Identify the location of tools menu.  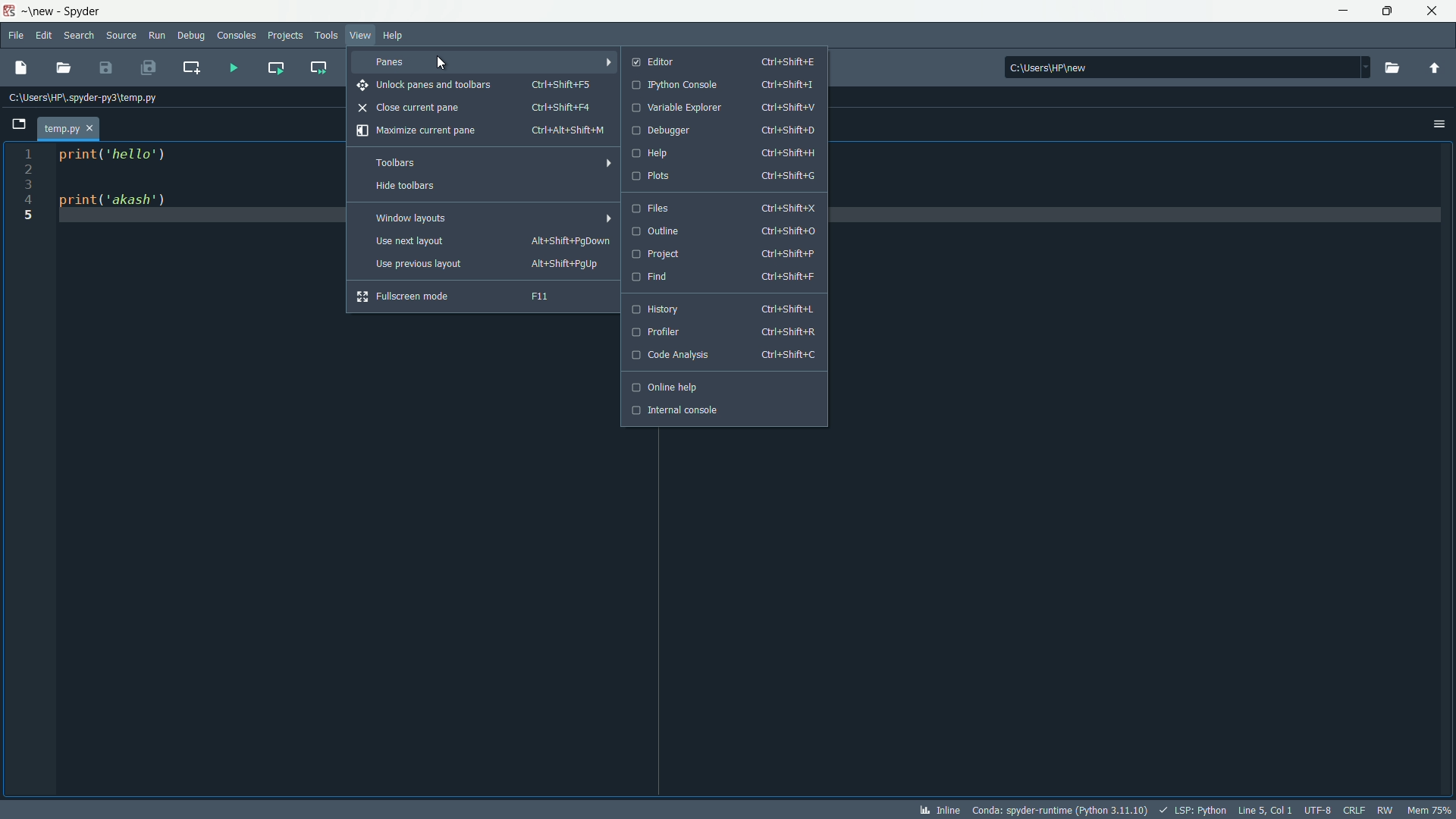
(325, 34).